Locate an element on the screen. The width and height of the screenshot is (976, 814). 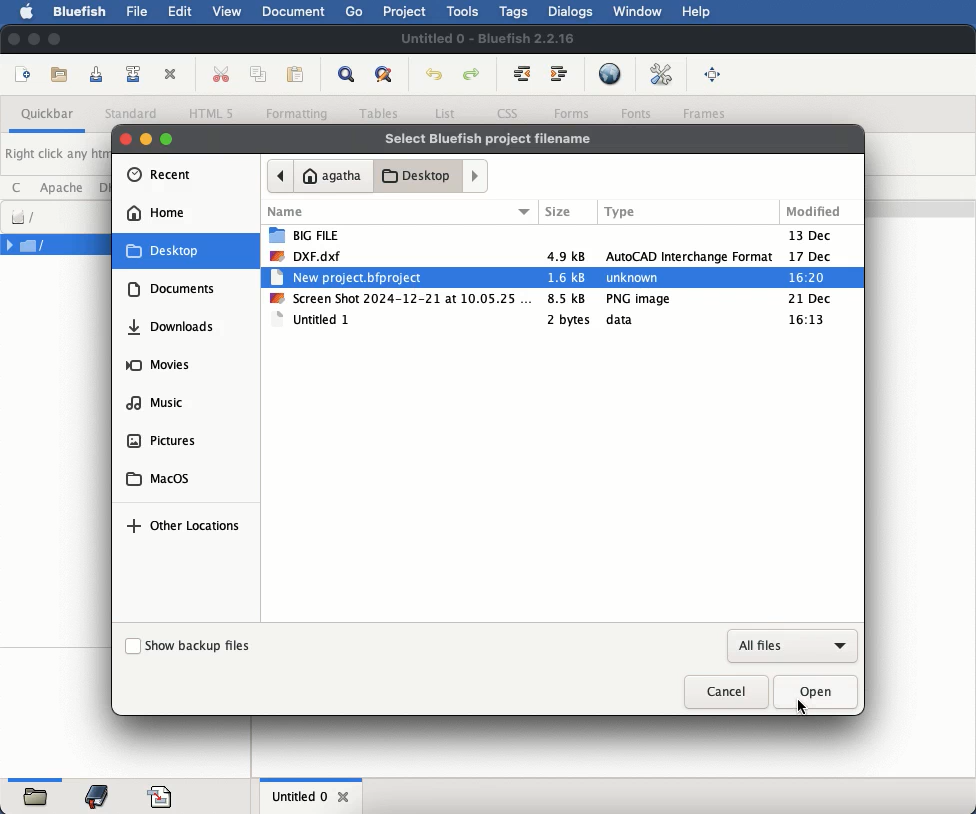
Size is located at coordinates (562, 212).